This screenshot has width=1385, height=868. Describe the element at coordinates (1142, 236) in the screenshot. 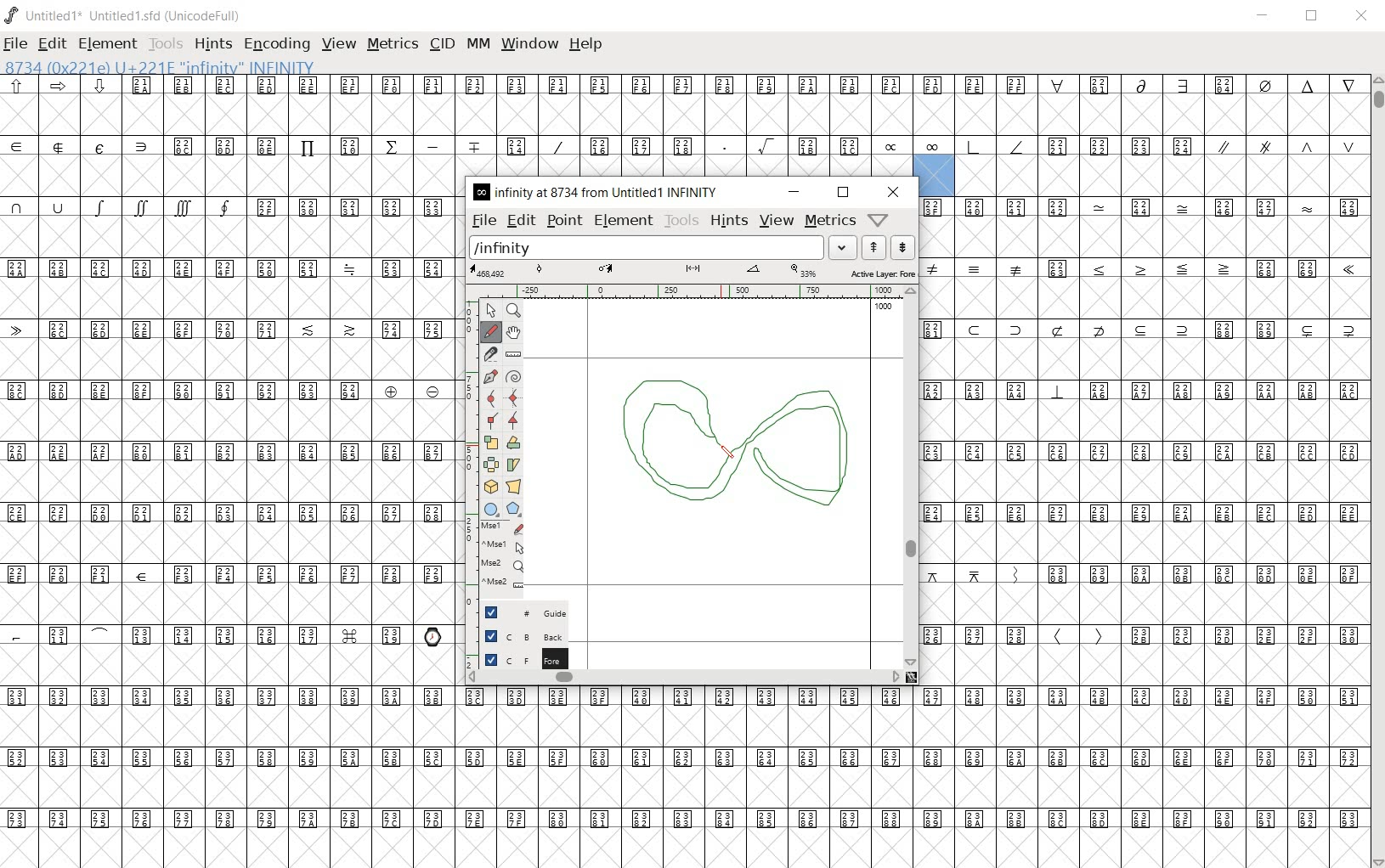

I see `Empty glyph slots` at that location.